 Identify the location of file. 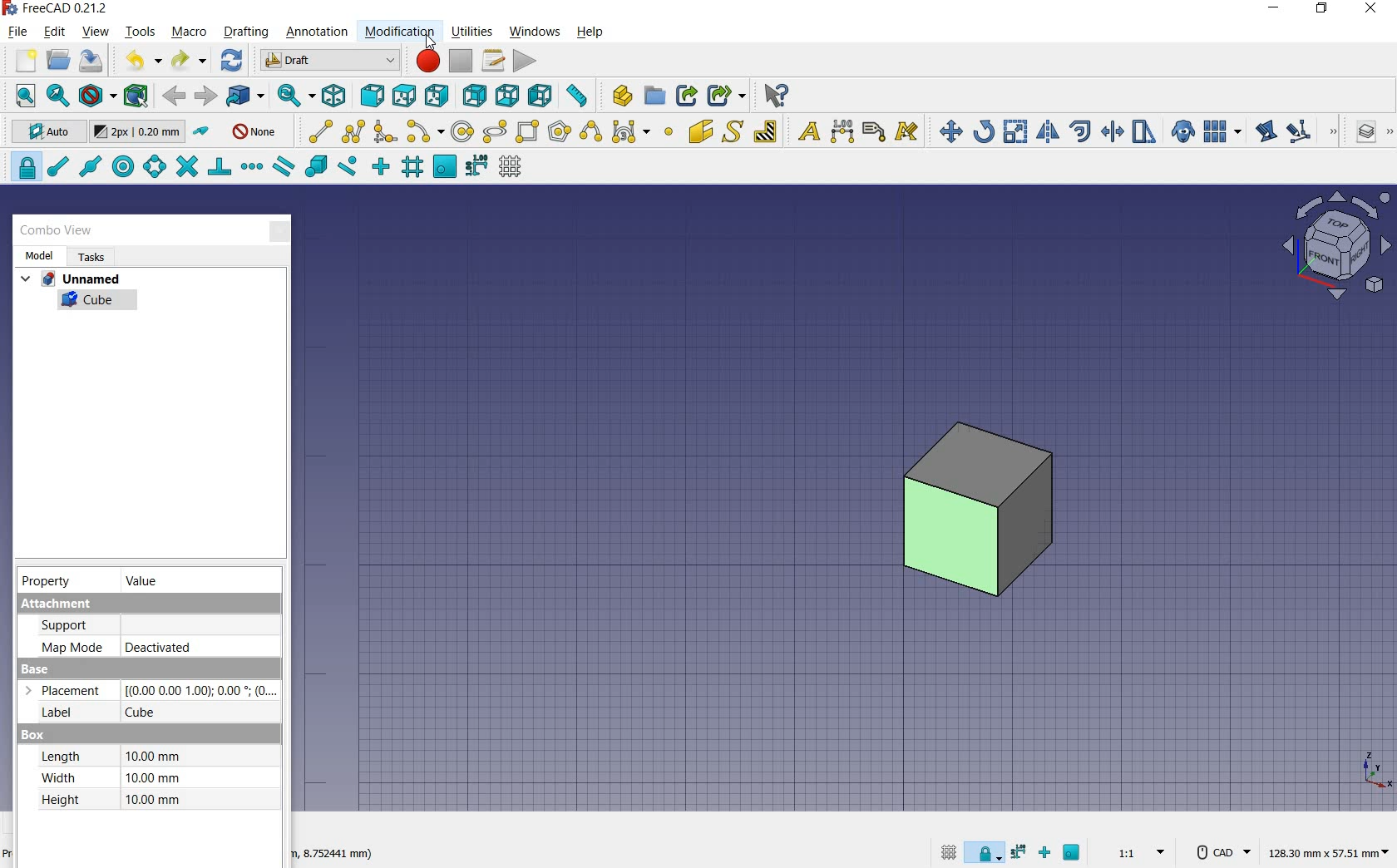
(19, 31).